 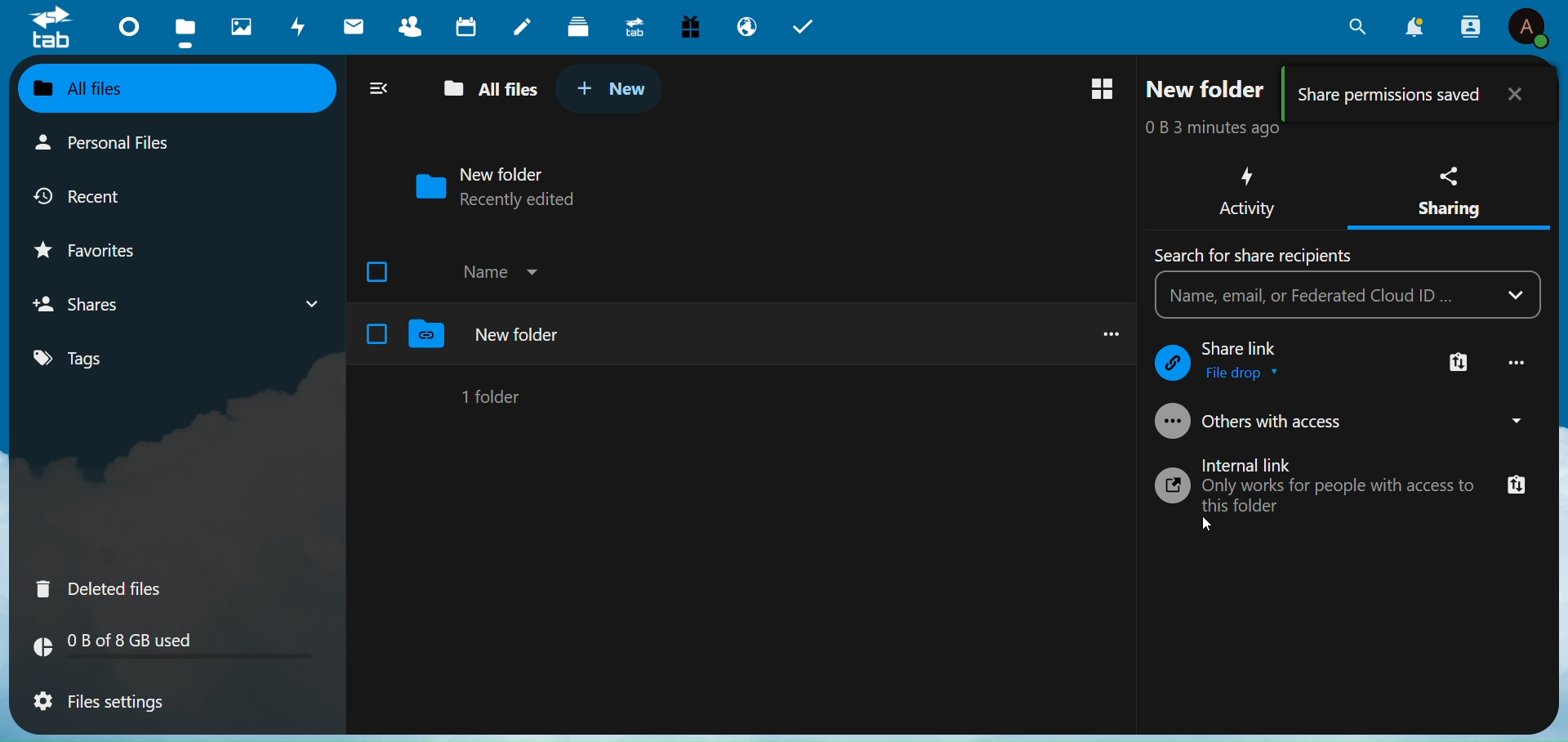 I want to click on Text, so click(x=1343, y=496).